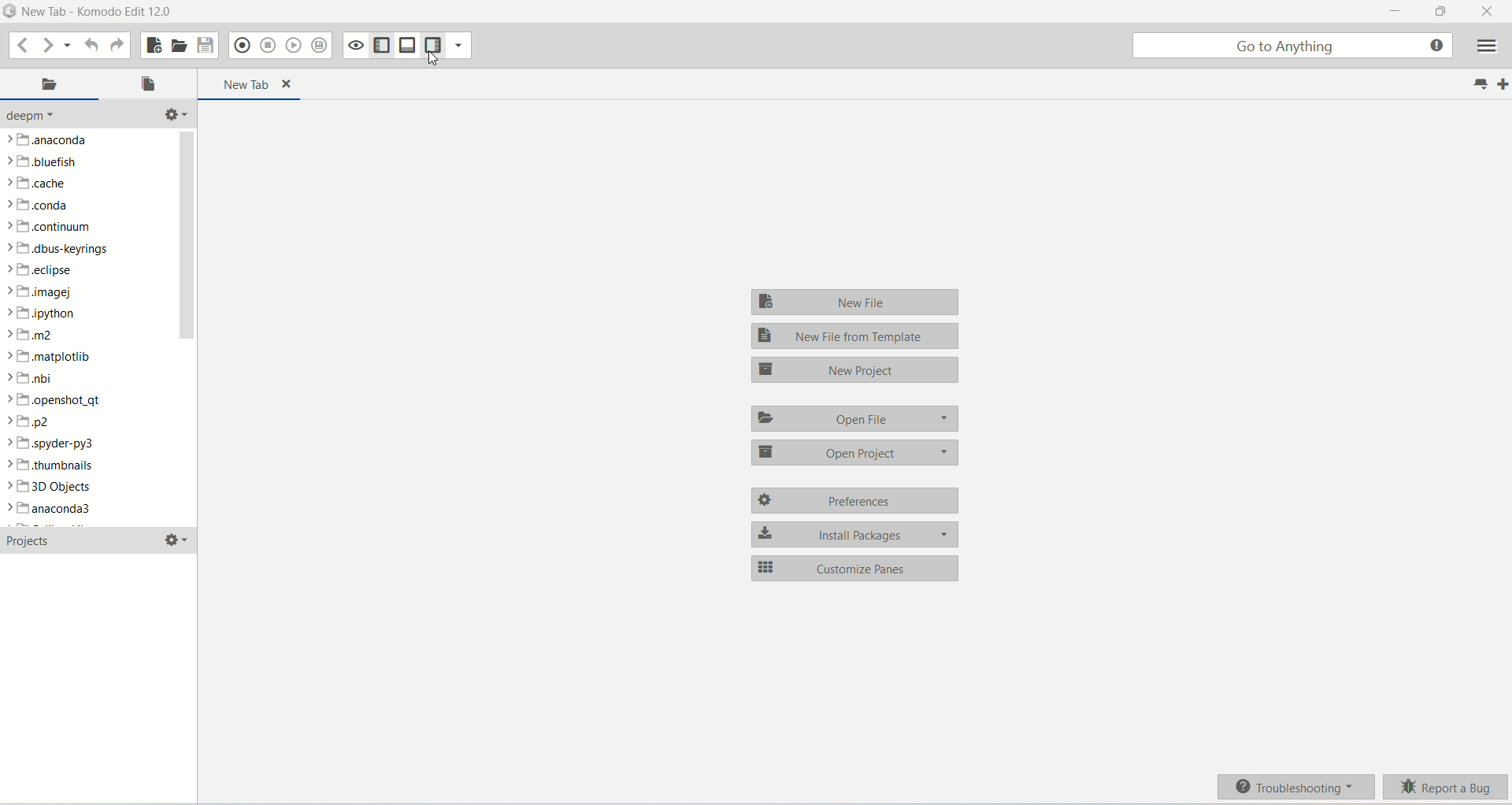 The height and width of the screenshot is (805, 1512). I want to click on maximize, so click(1440, 10).